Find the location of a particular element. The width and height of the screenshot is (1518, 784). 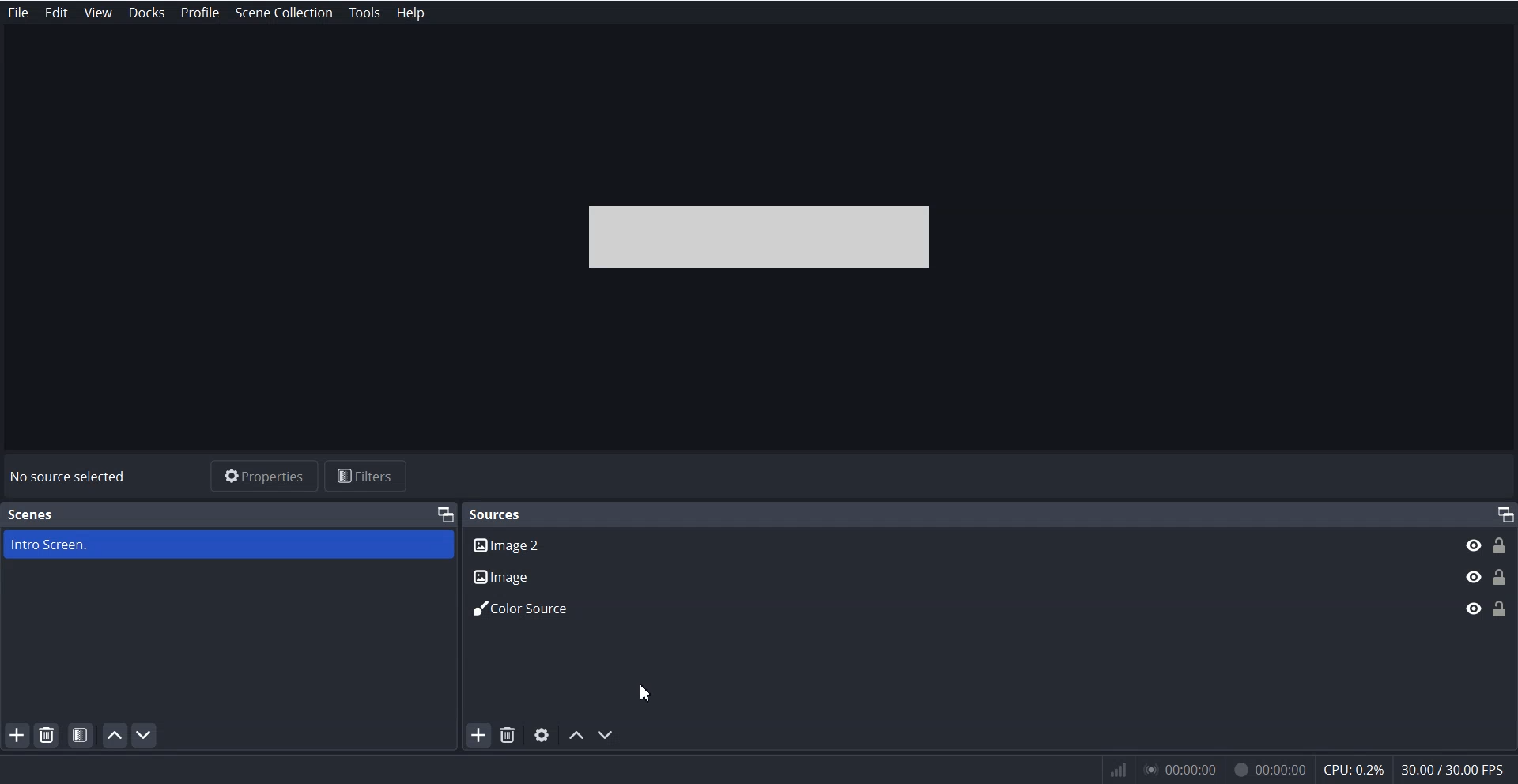

Intro Screen is located at coordinates (228, 545).